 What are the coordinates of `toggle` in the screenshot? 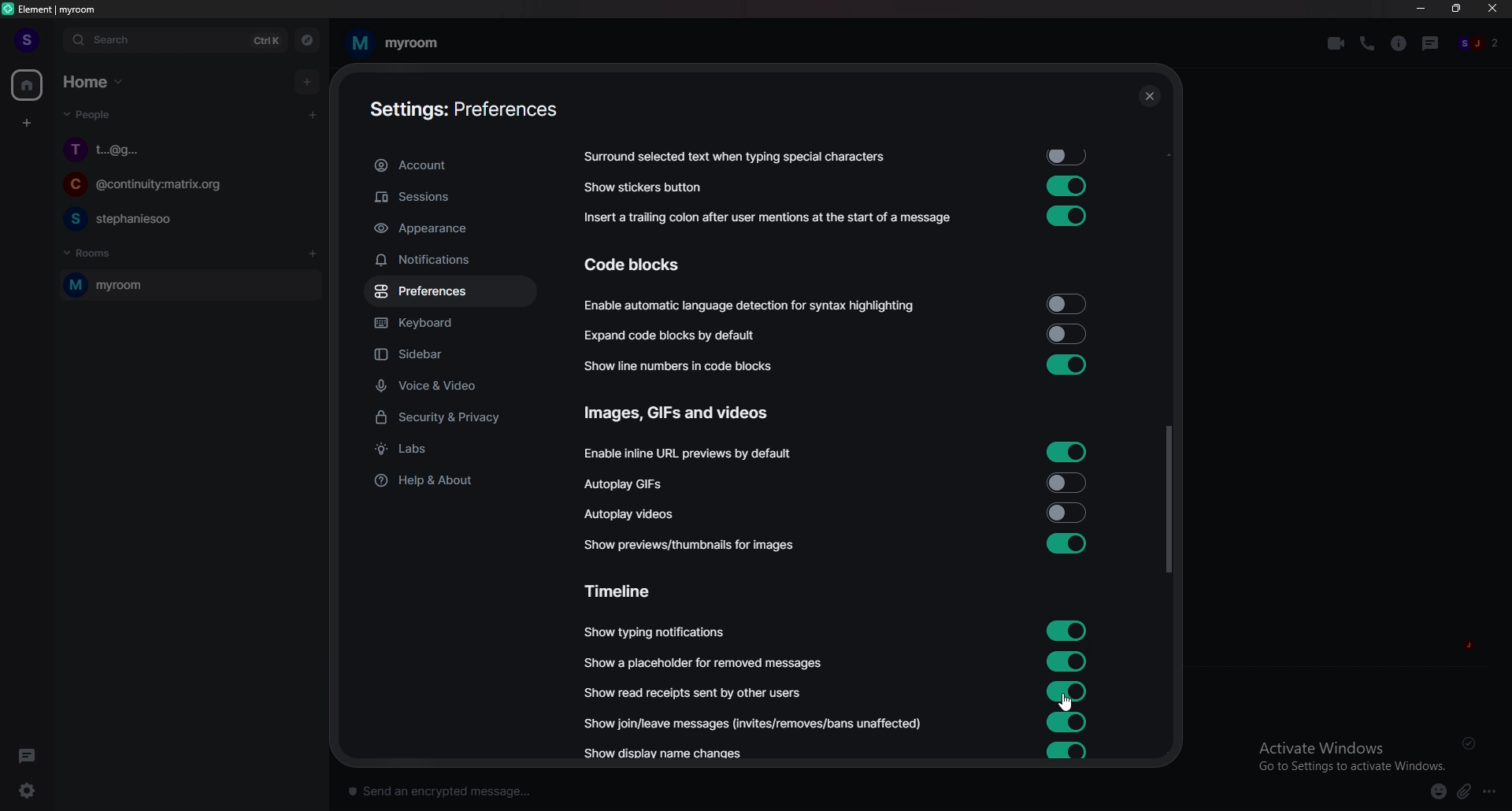 It's located at (1067, 185).